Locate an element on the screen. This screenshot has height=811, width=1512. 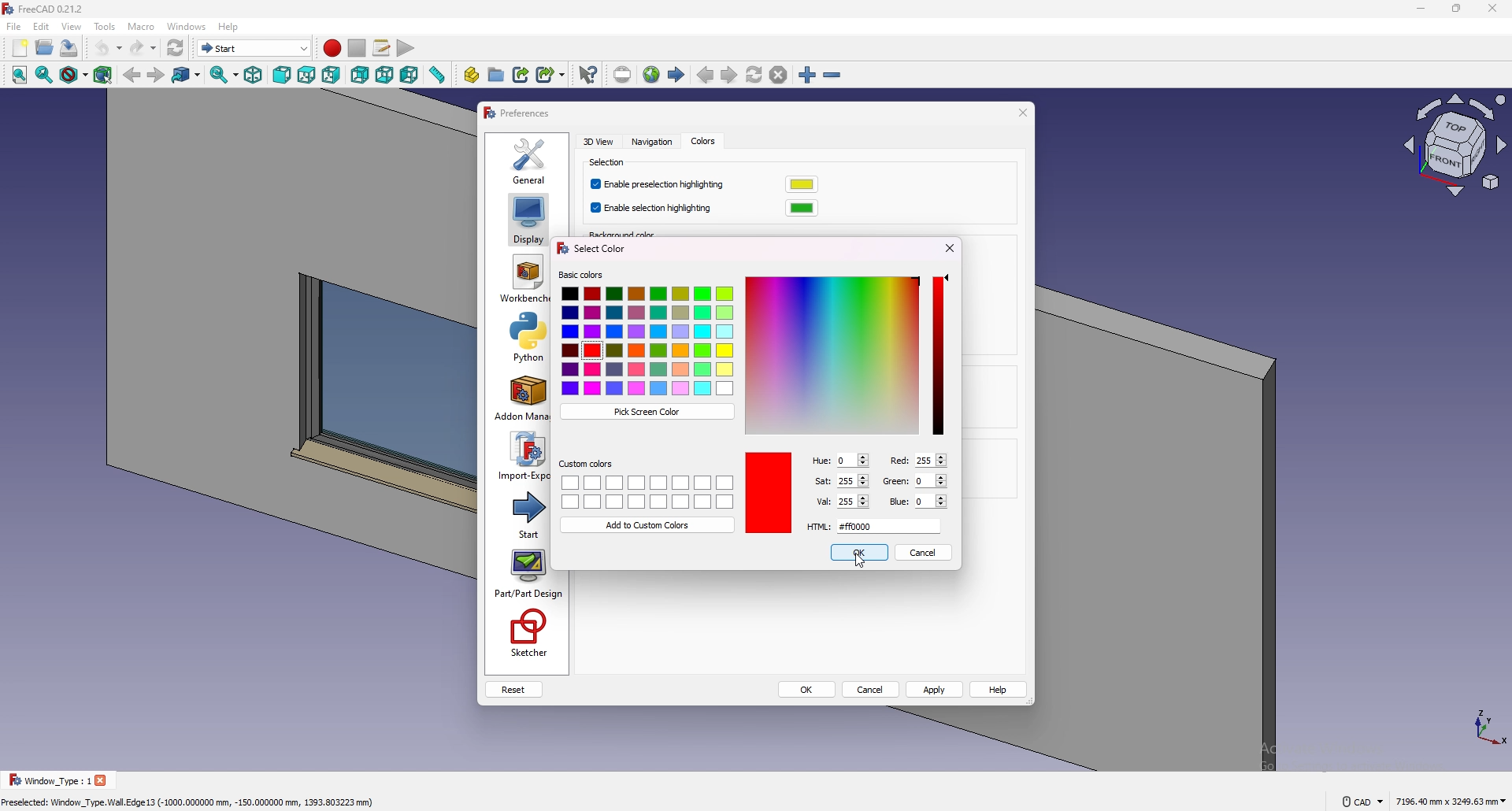
custom colors is located at coordinates (586, 464).